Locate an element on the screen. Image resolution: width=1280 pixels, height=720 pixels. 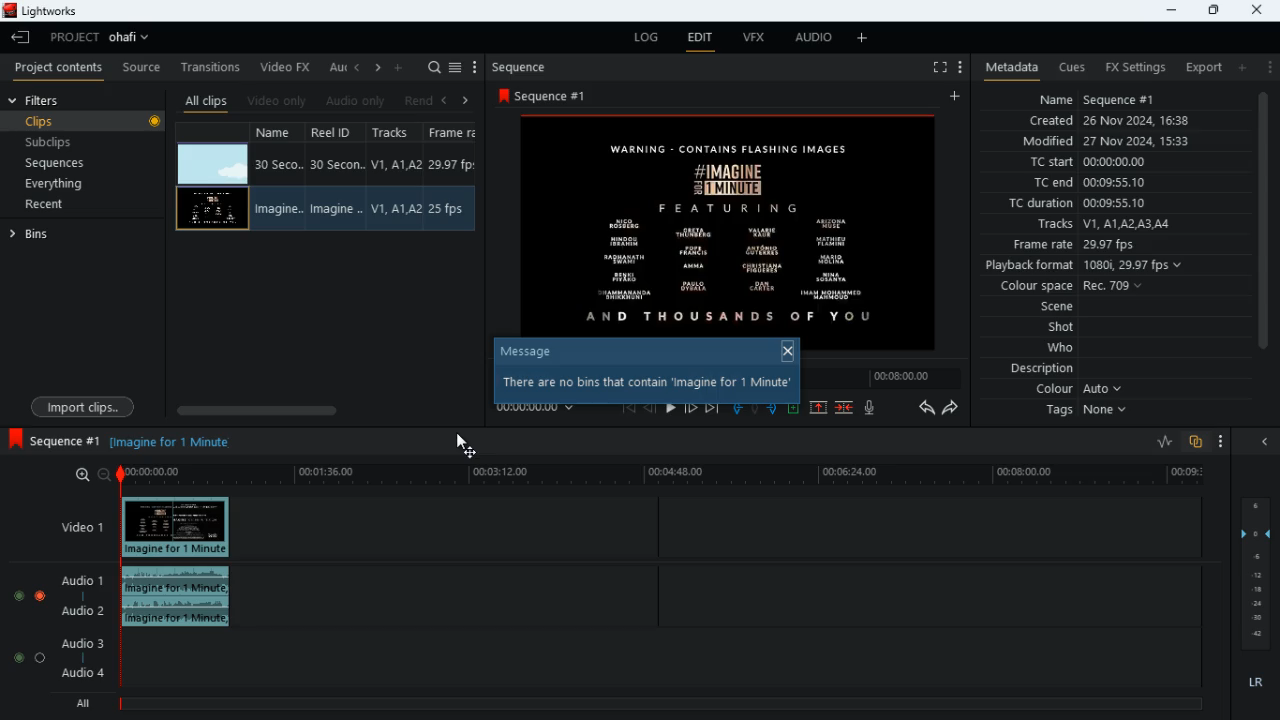
tc duration is located at coordinates (1110, 205).